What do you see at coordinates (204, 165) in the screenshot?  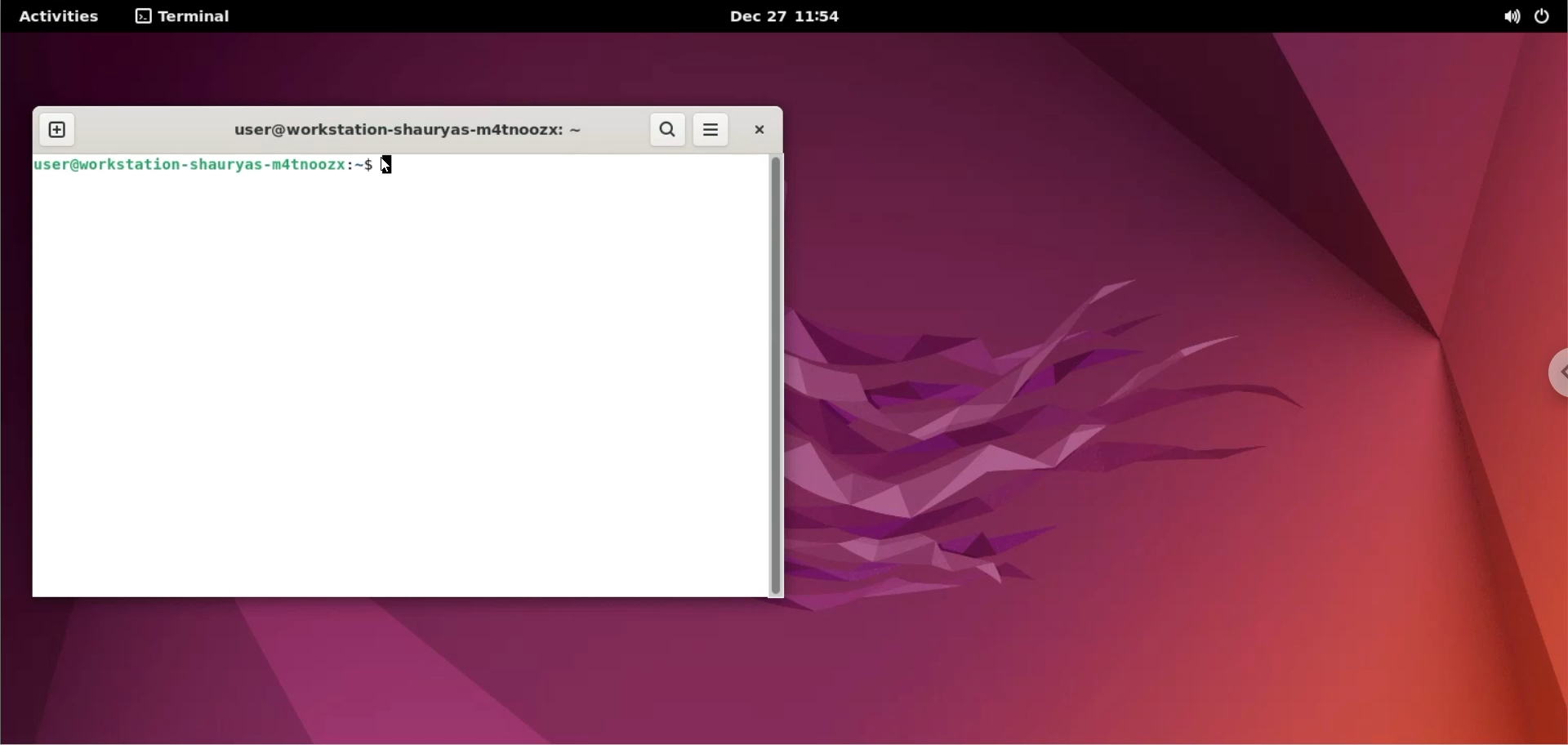 I see `shell prompt: user@workstation-shauryas-m4tnoozx:~$ ` at bounding box center [204, 165].